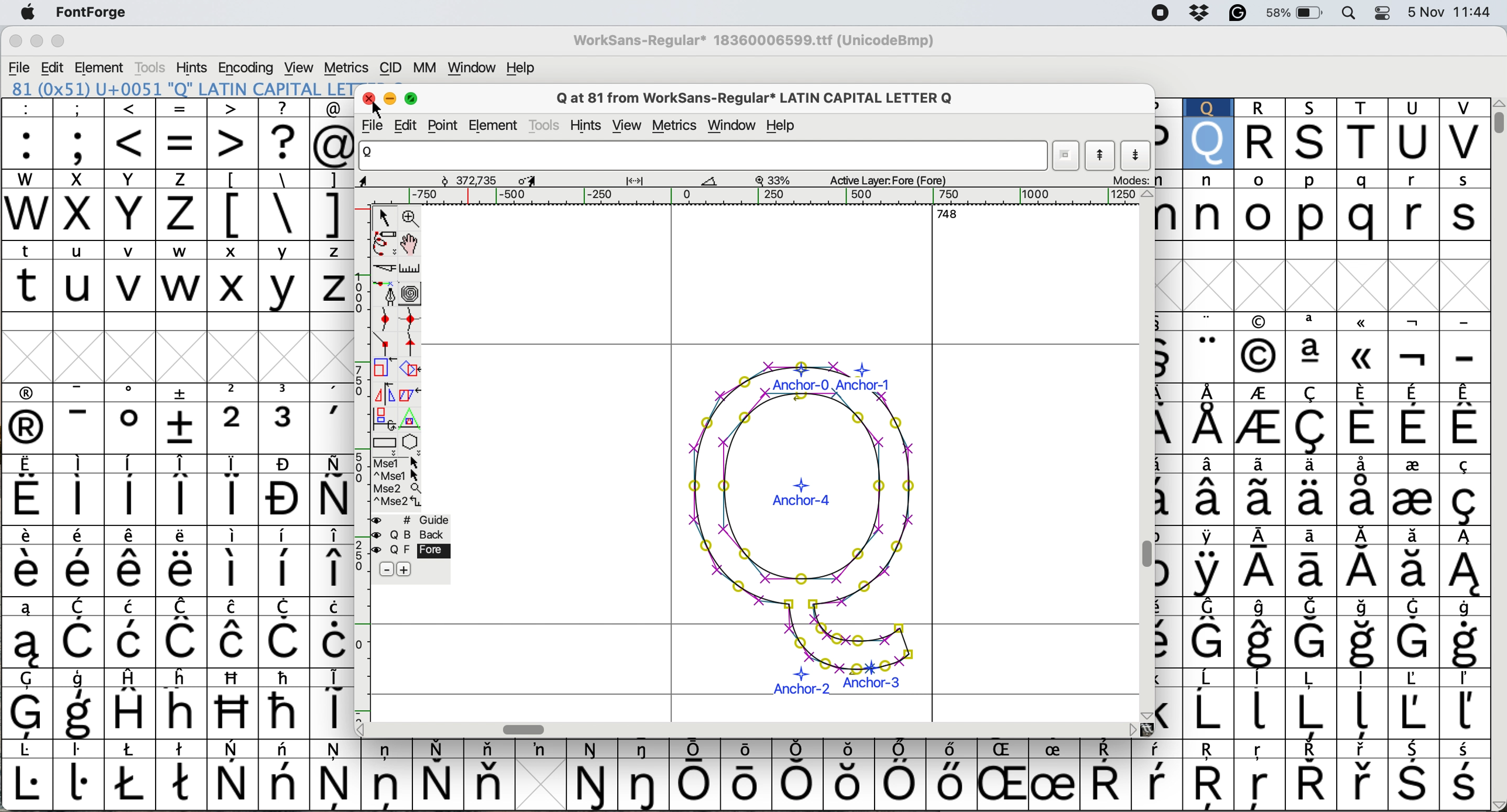 This screenshot has width=1507, height=812. What do you see at coordinates (177, 558) in the screenshot?
I see `special characters` at bounding box center [177, 558].